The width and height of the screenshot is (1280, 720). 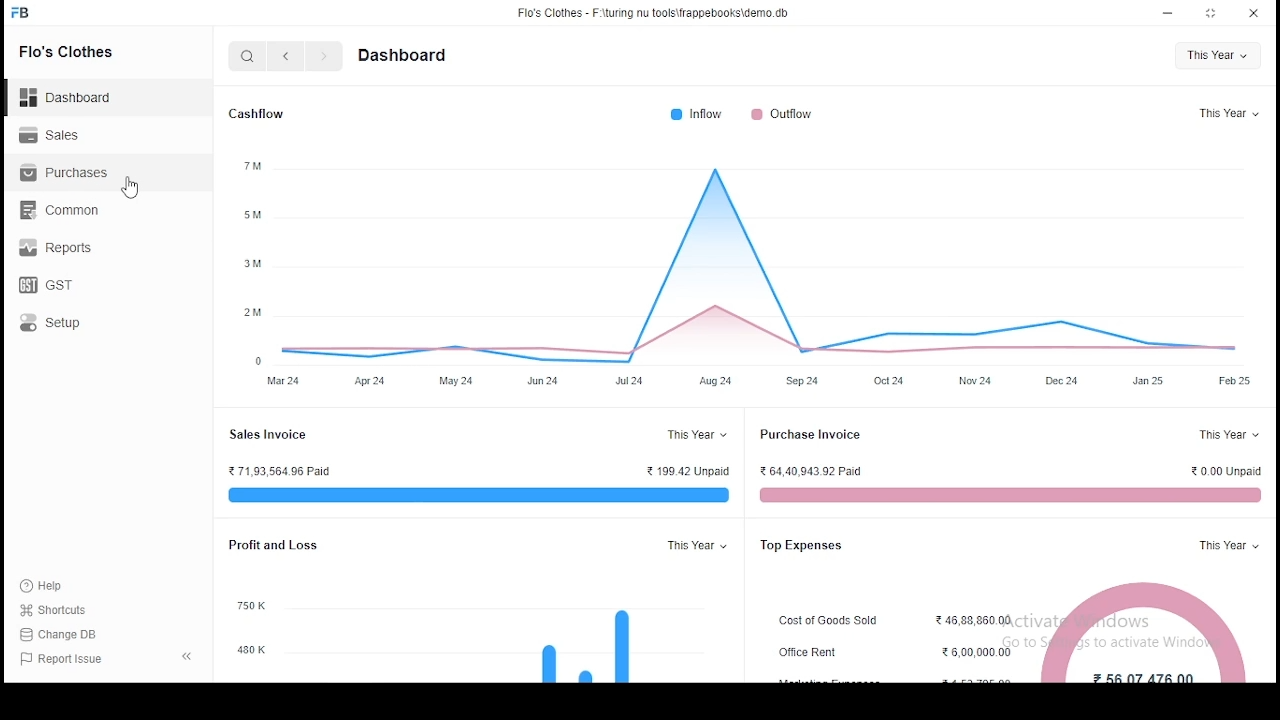 What do you see at coordinates (654, 13) in the screenshot?
I see `flo's clothes - F:\turing nu tools\frappebooks\demo.db` at bounding box center [654, 13].